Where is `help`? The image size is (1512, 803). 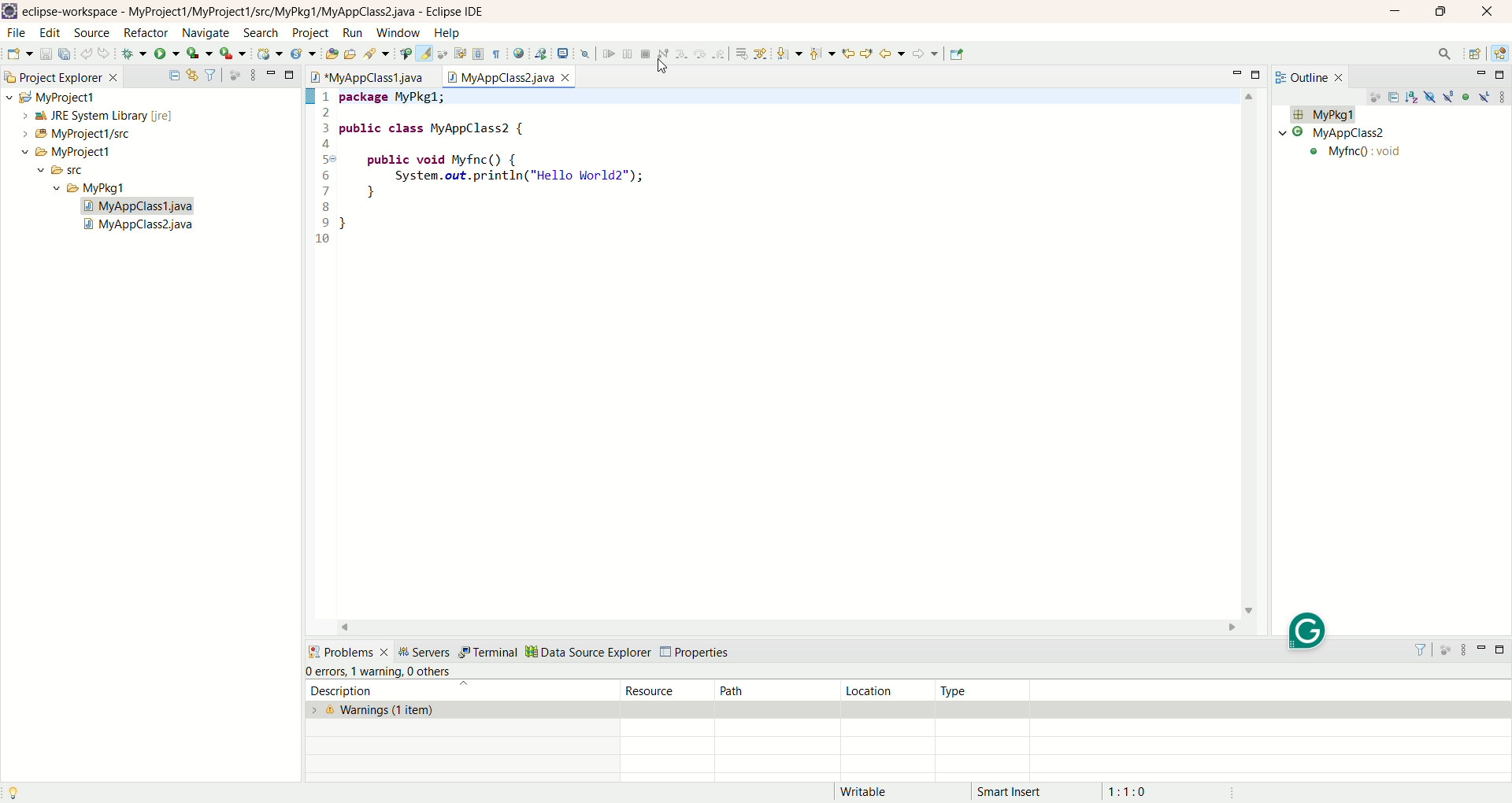
help is located at coordinates (446, 34).